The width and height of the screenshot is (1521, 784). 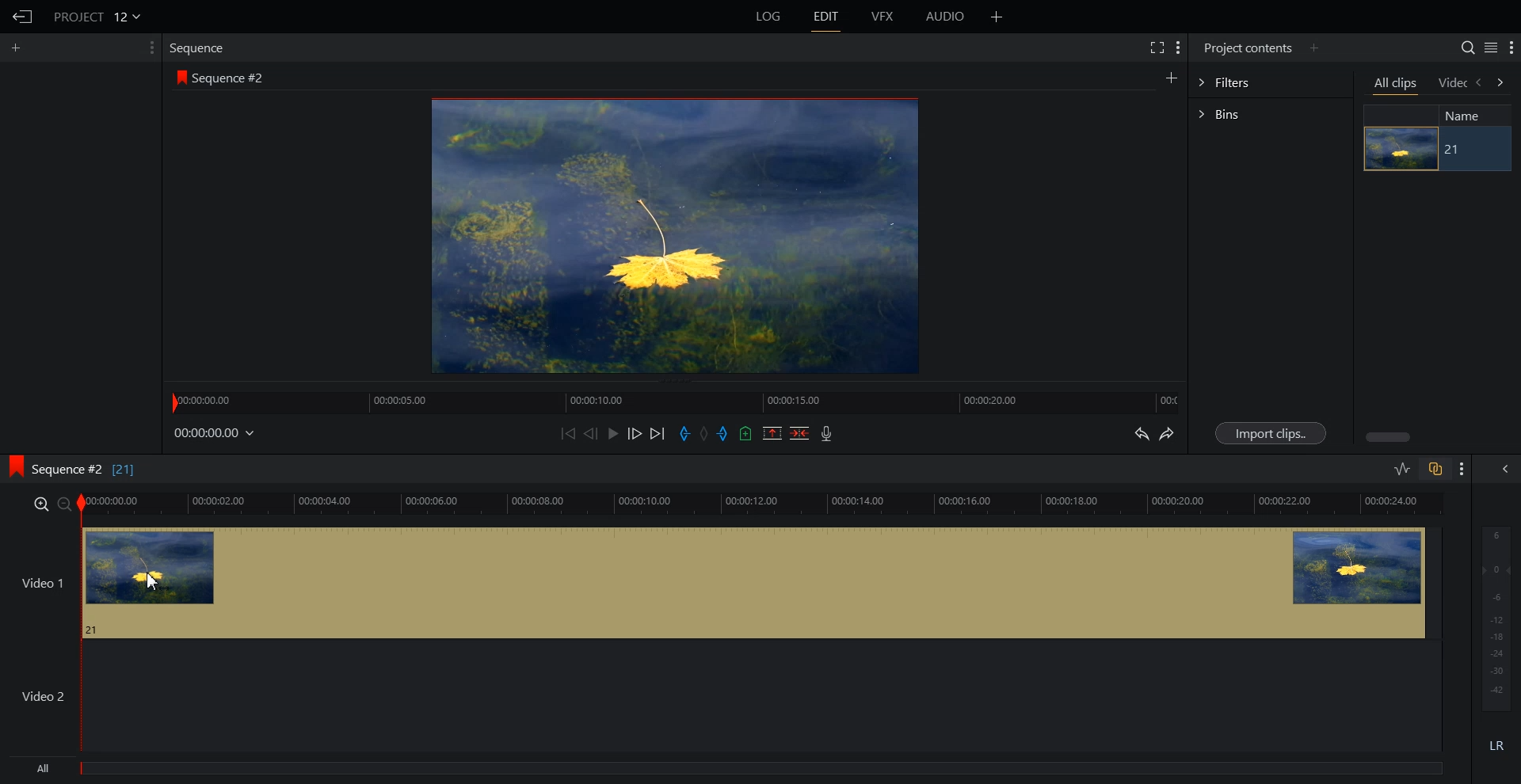 What do you see at coordinates (233, 78) in the screenshot?
I see `Sequence #2` at bounding box center [233, 78].